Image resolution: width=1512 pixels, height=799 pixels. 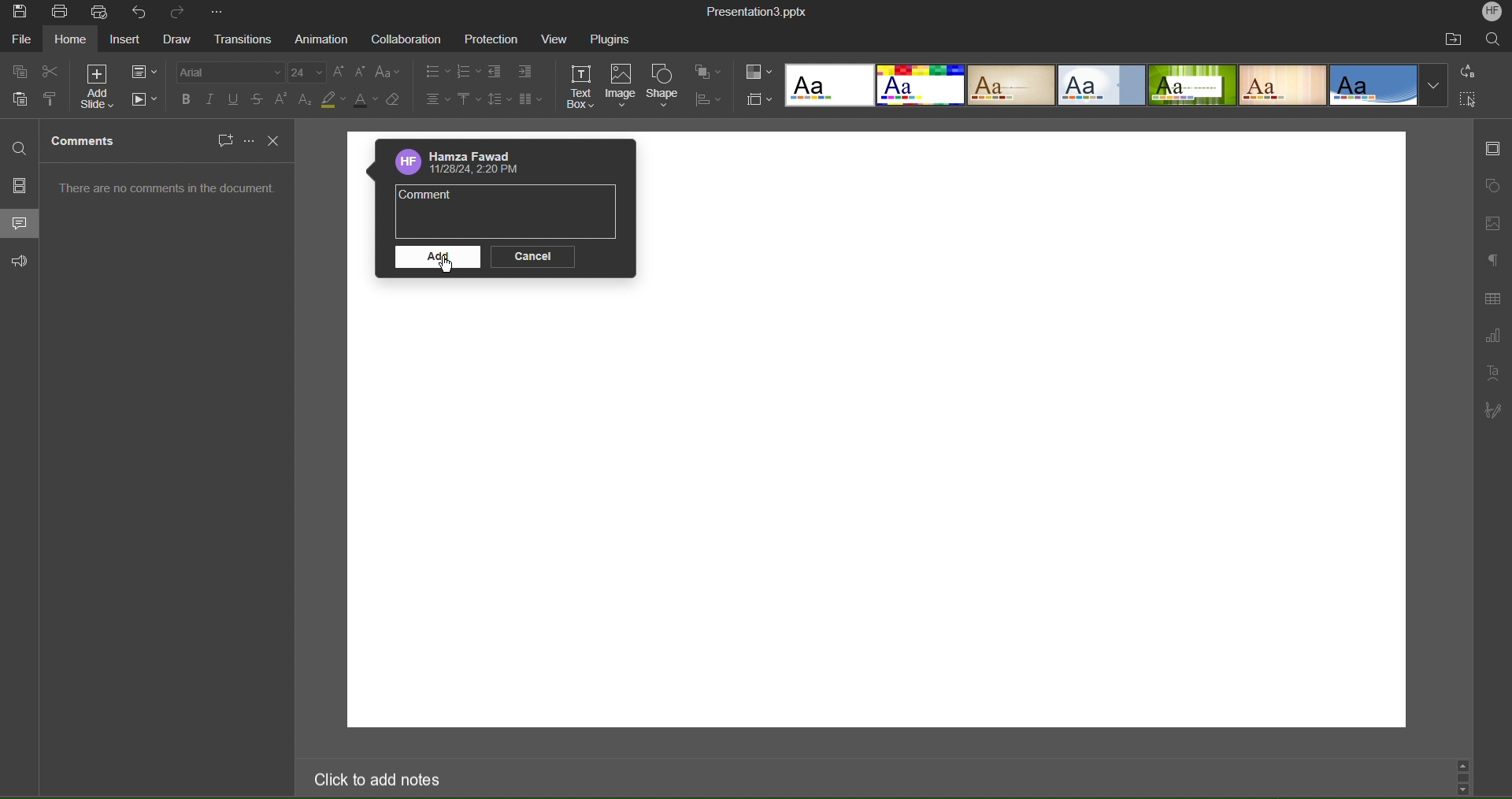 What do you see at coordinates (1492, 337) in the screenshot?
I see `Graph Settings` at bounding box center [1492, 337].